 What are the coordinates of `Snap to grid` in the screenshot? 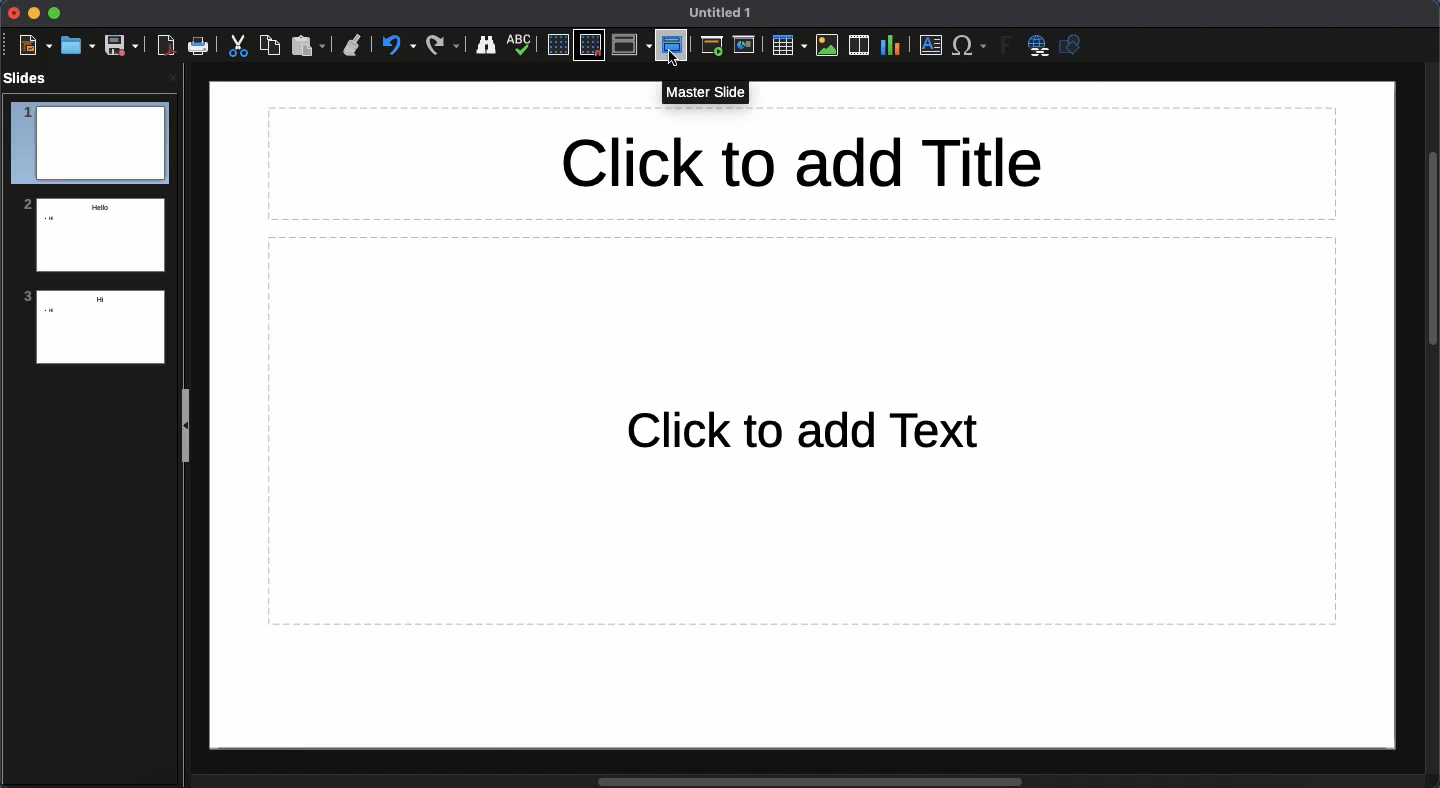 It's located at (589, 45).